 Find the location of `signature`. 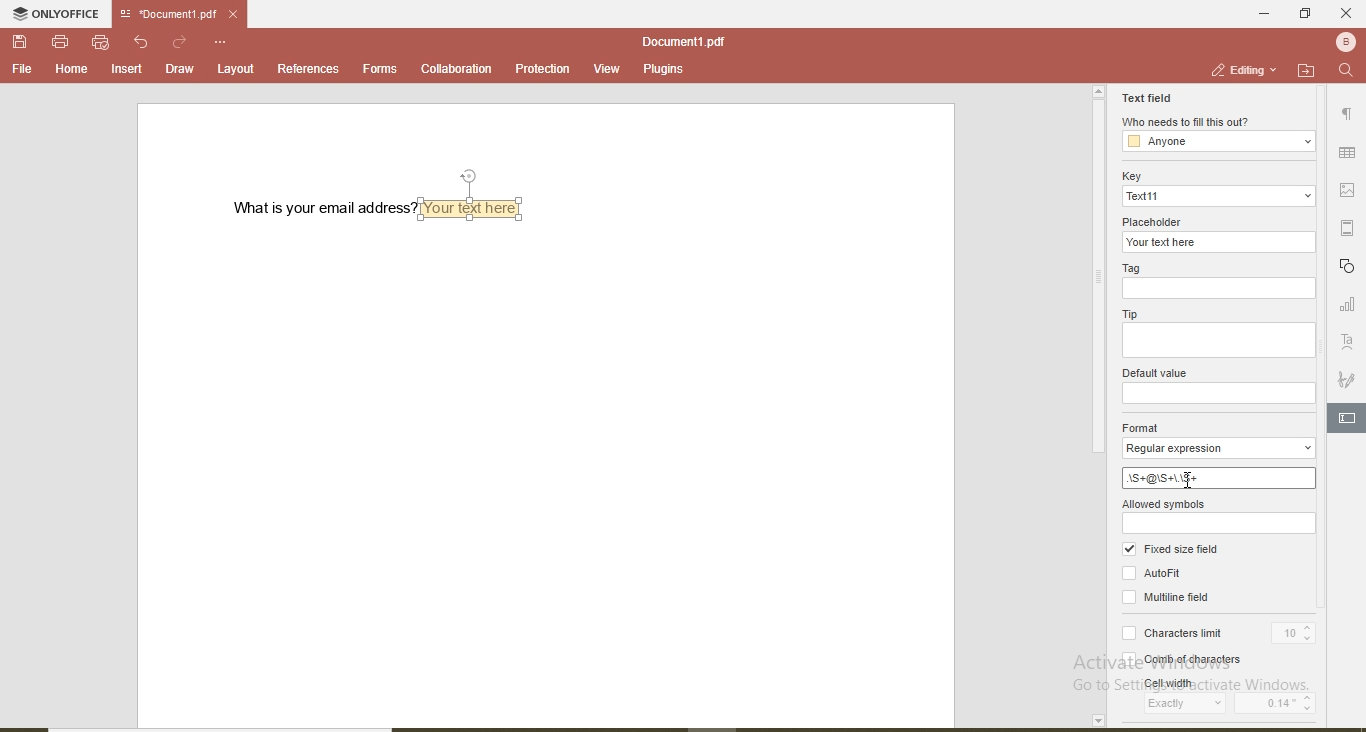

signature is located at coordinates (1347, 381).